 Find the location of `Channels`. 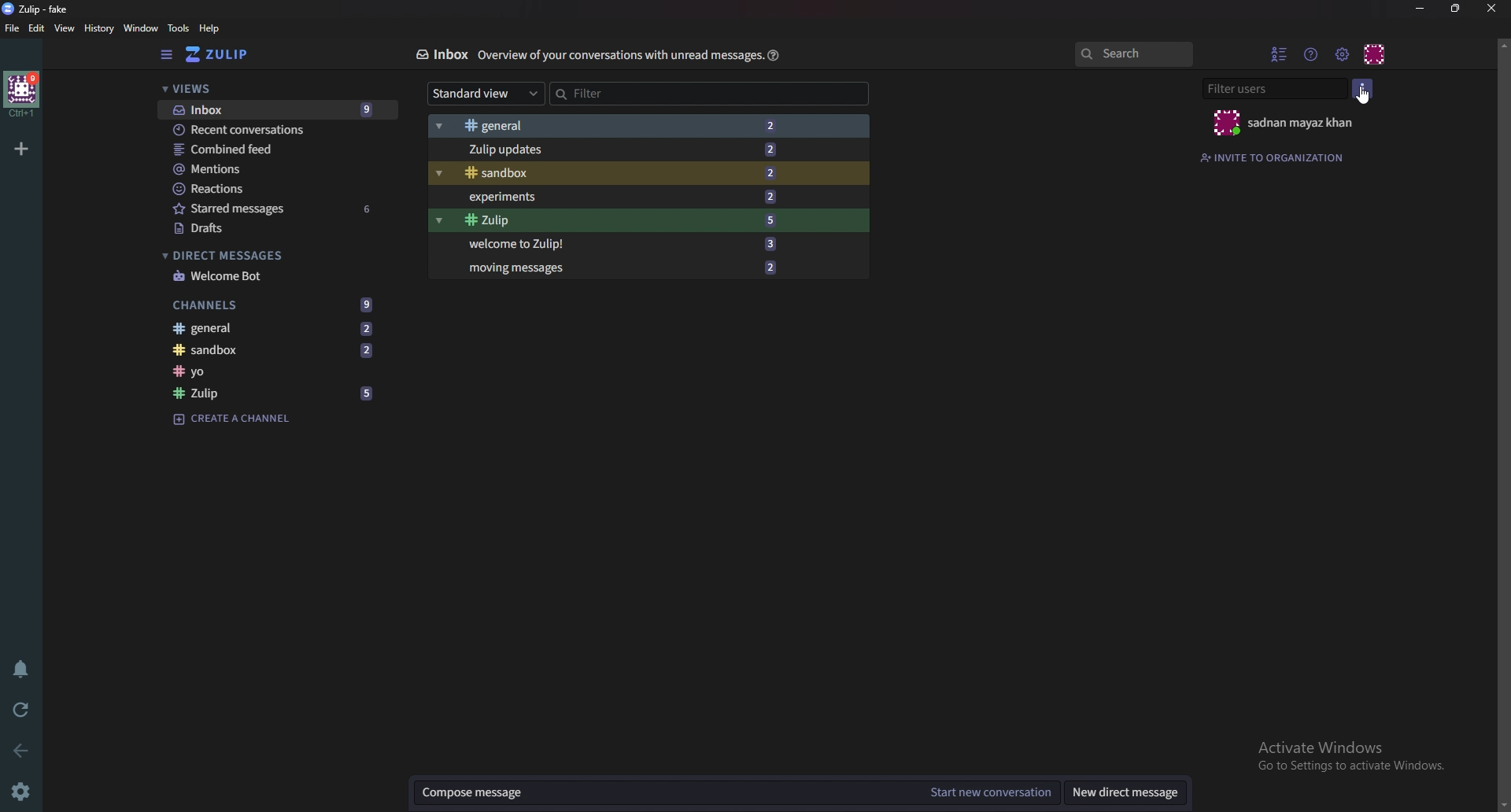

Channels is located at coordinates (273, 304).